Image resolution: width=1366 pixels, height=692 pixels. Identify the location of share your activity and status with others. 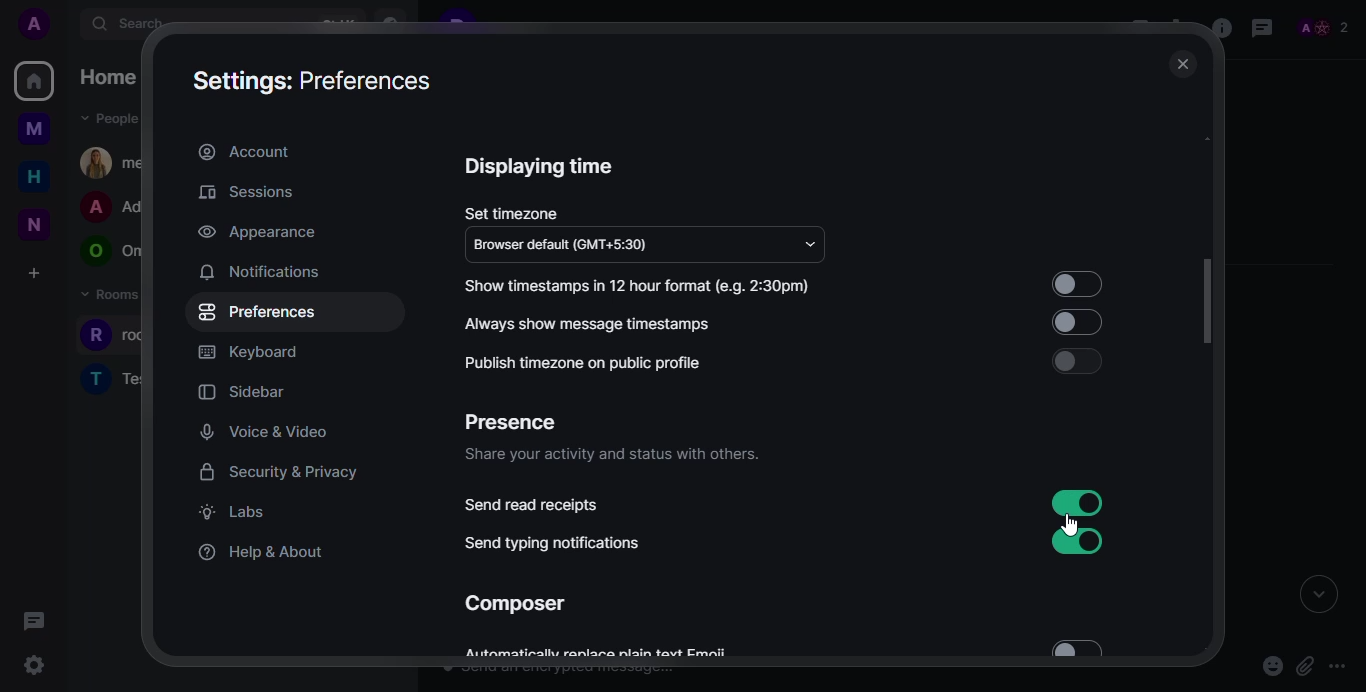
(610, 454).